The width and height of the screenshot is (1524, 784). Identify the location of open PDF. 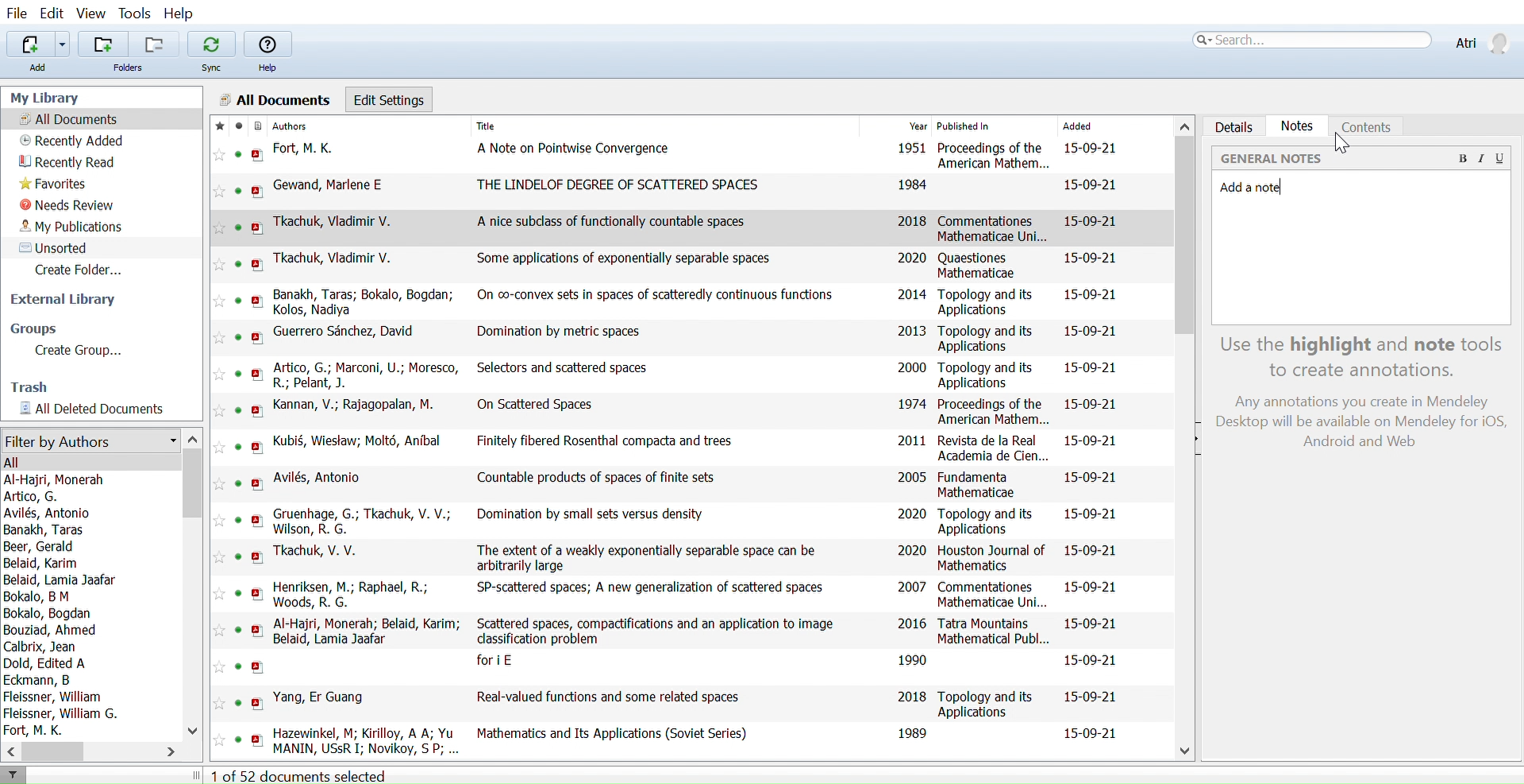
(257, 521).